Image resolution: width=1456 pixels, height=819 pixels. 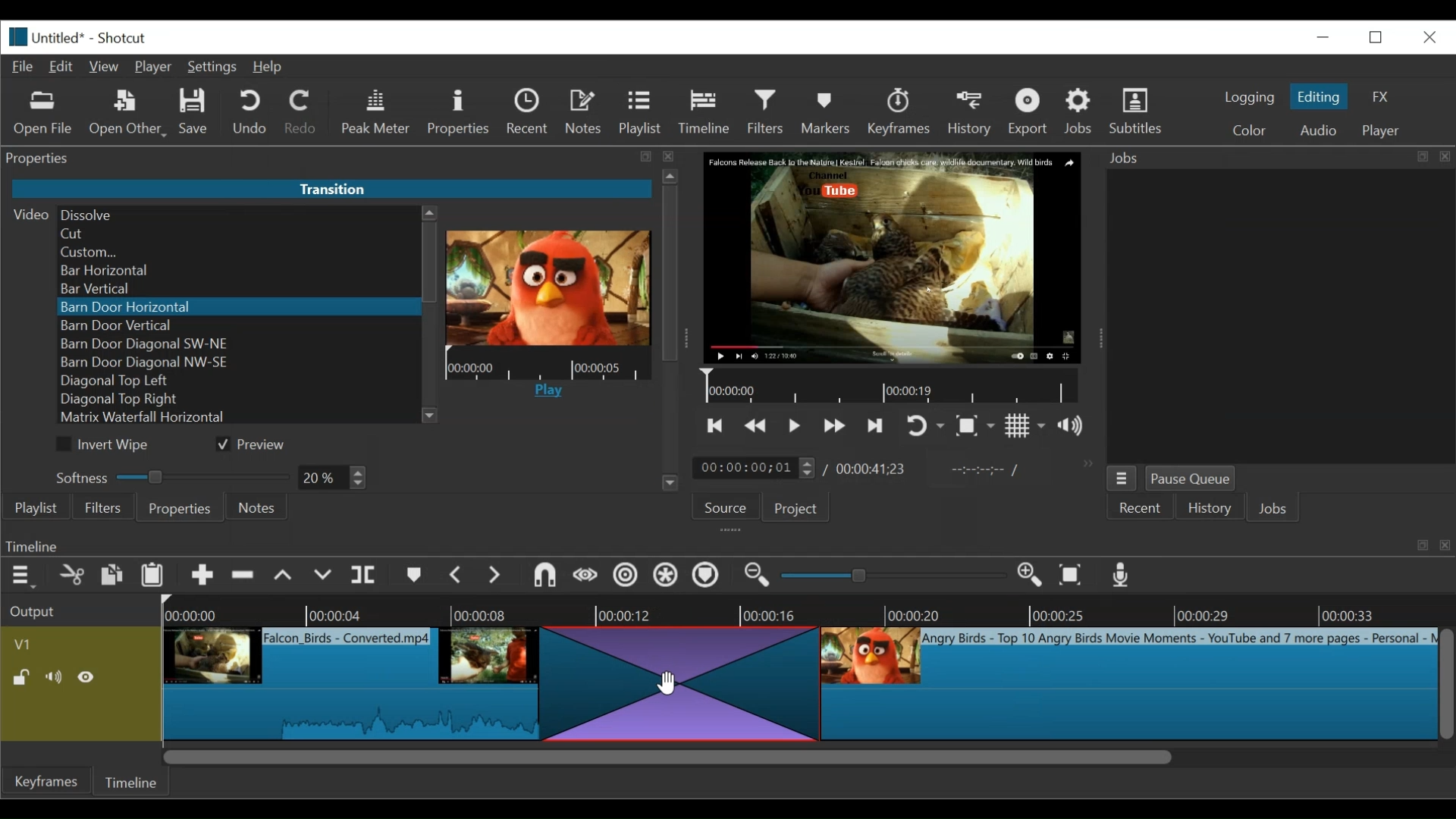 I want to click on Zoom in, so click(x=1027, y=575).